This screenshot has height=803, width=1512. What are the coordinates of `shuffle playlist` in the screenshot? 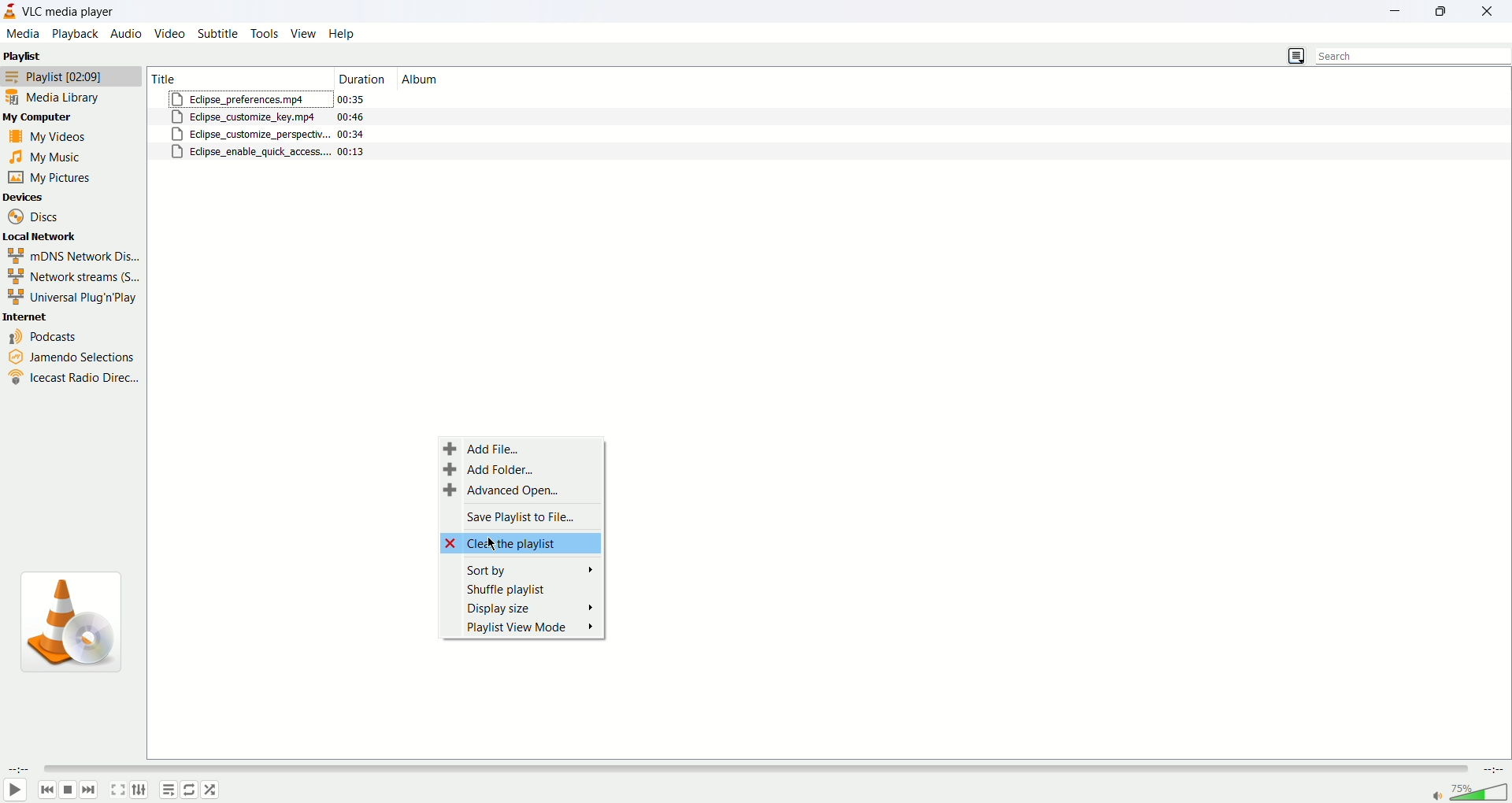 It's located at (525, 589).